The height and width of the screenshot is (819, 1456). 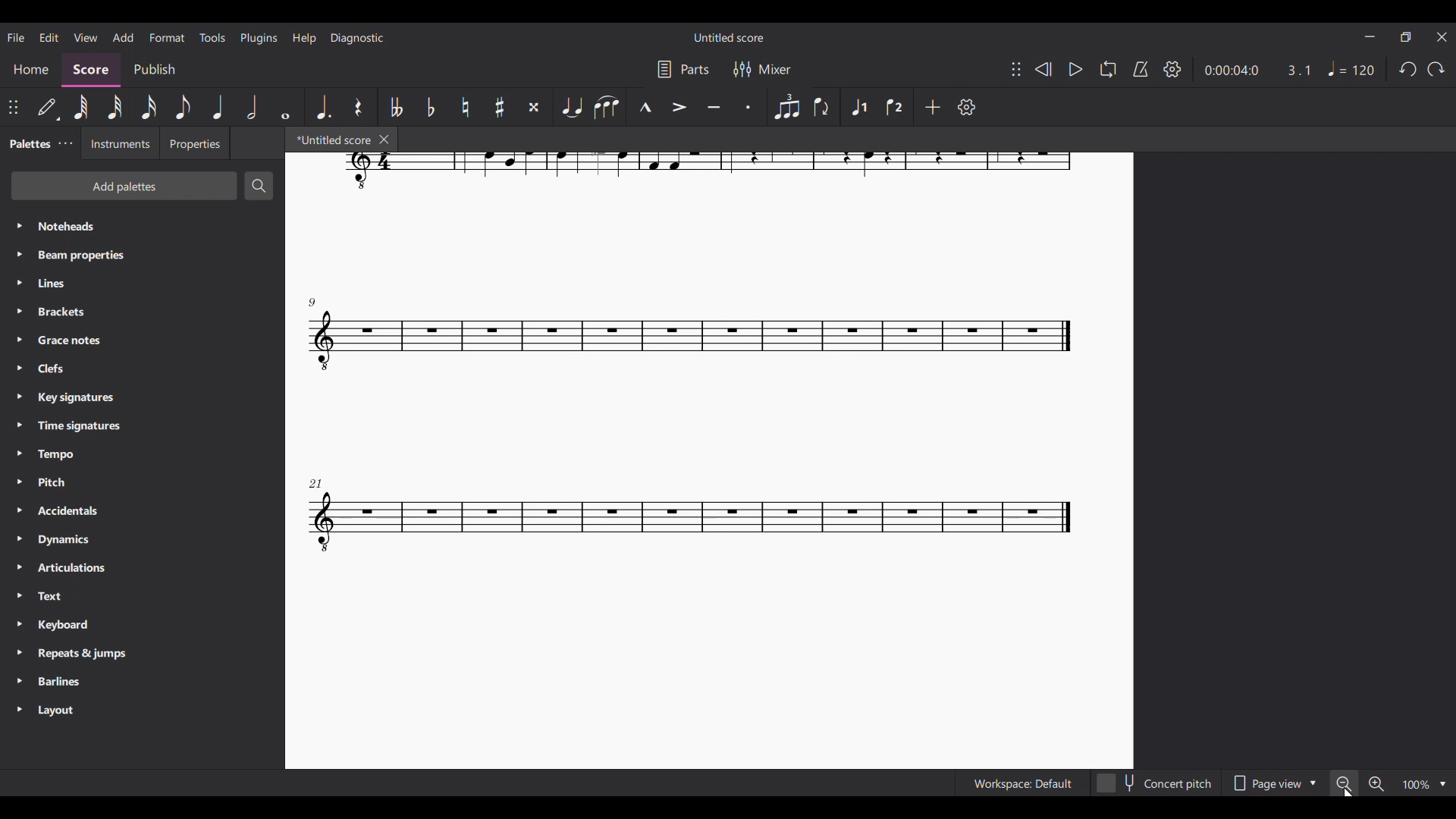 What do you see at coordinates (141, 255) in the screenshot?
I see `Beam properties` at bounding box center [141, 255].